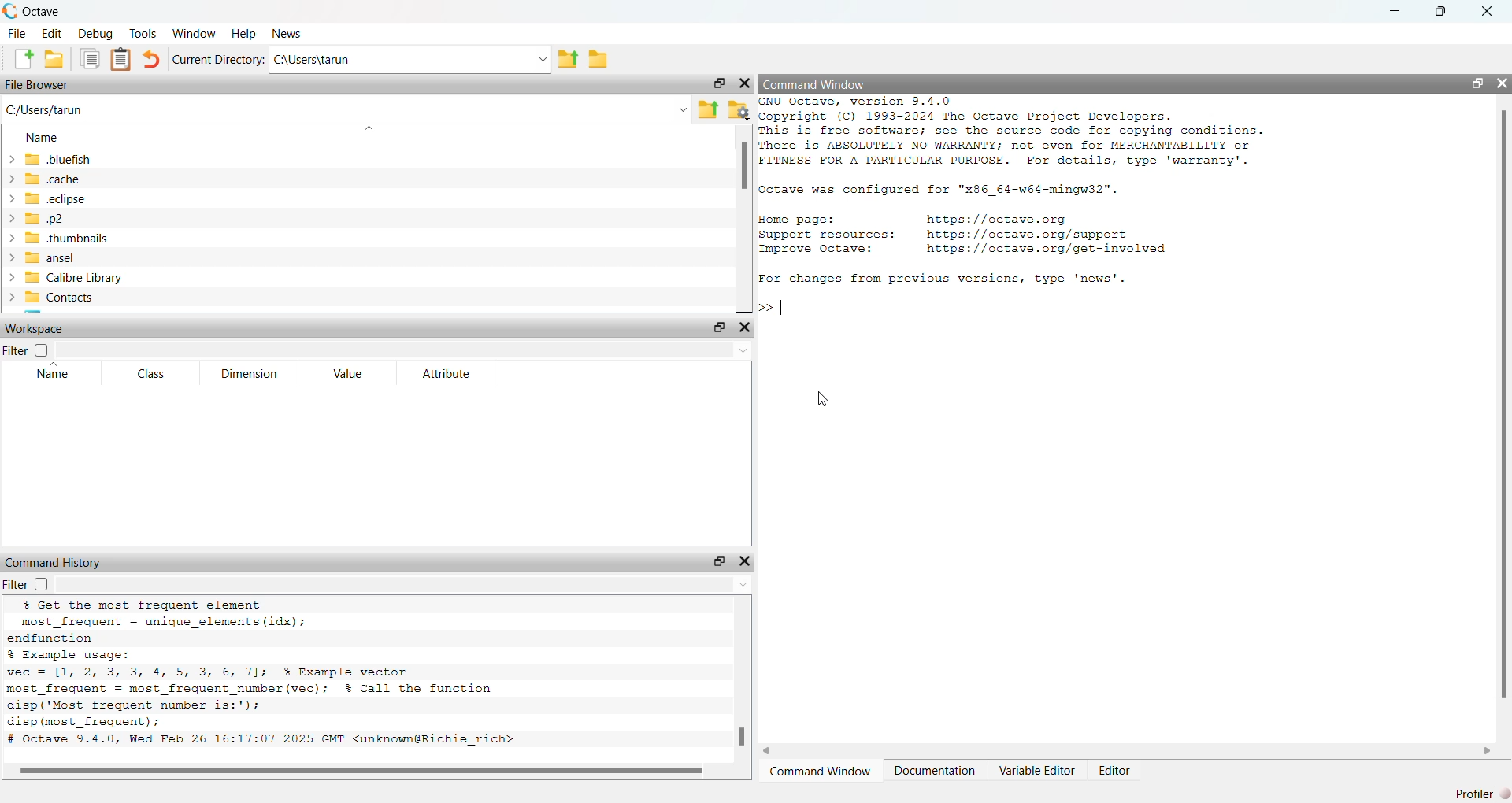 The image size is (1512, 803). What do you see at coordinates (718, 561) in the screenshot?
I see `Undock Widget` at bounding box center [718, 561].